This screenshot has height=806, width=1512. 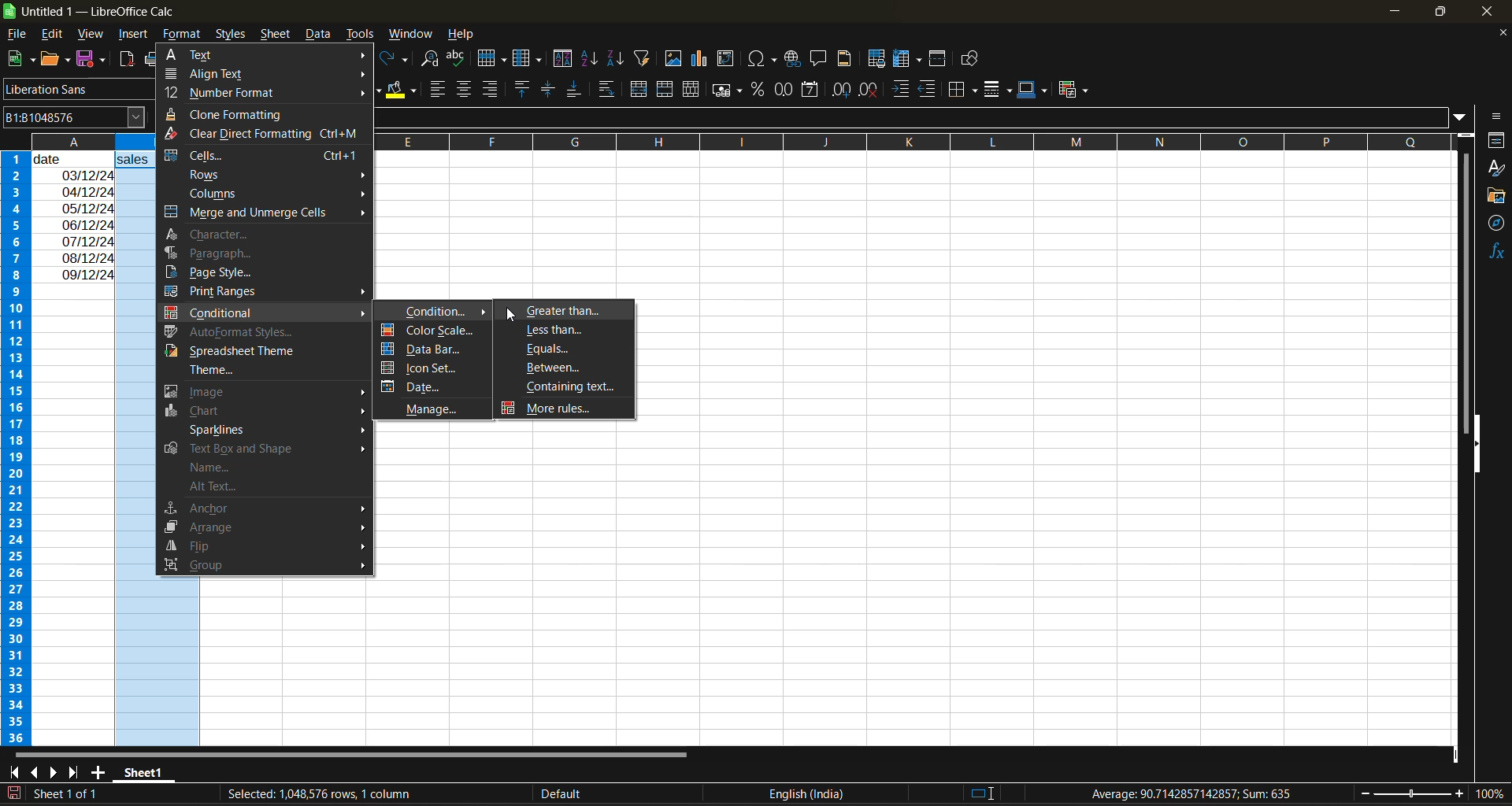 What do you see at coordinates (930, 90) in the screenshot?
I see `decrease indent` at bounding box center [930, 90].